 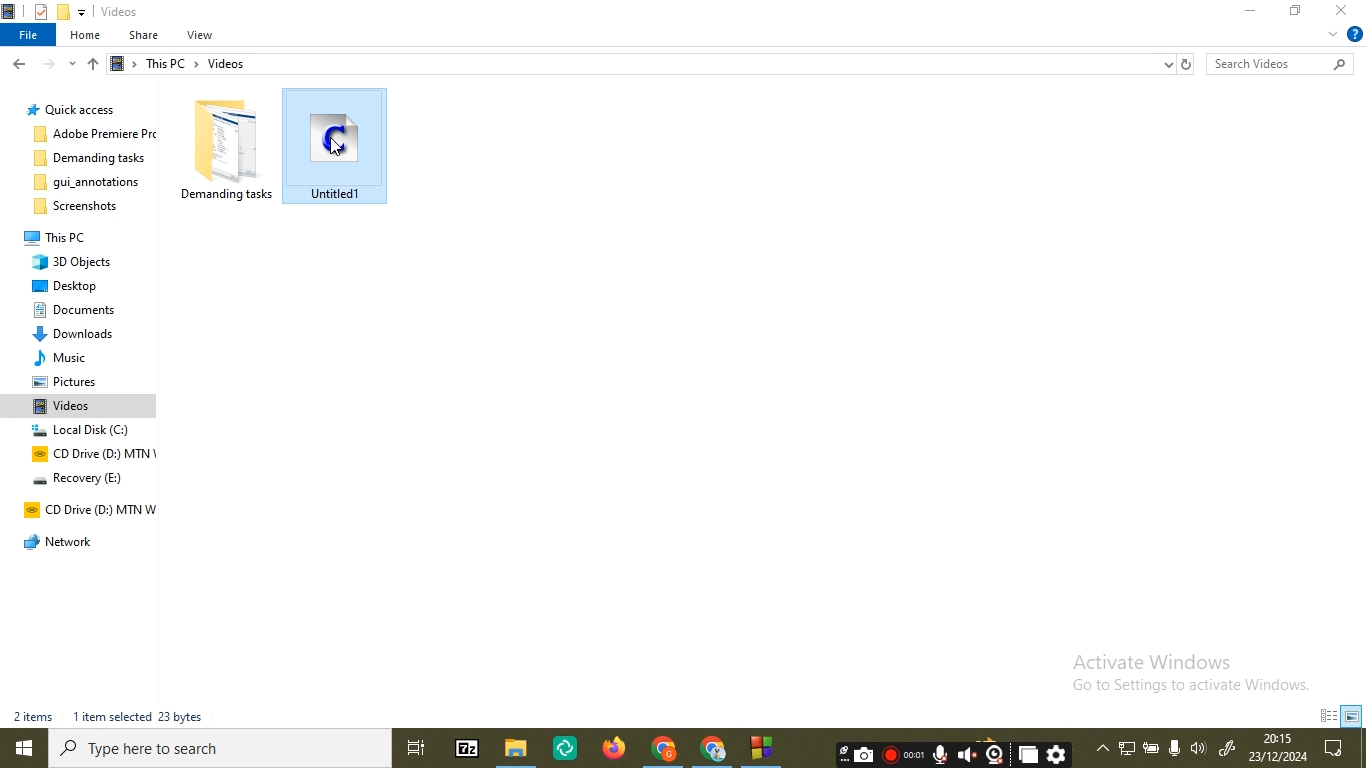 What do you see at coordinates (21, 12) in the screenshot?
I see `logo` at bounding box center [21, 12].